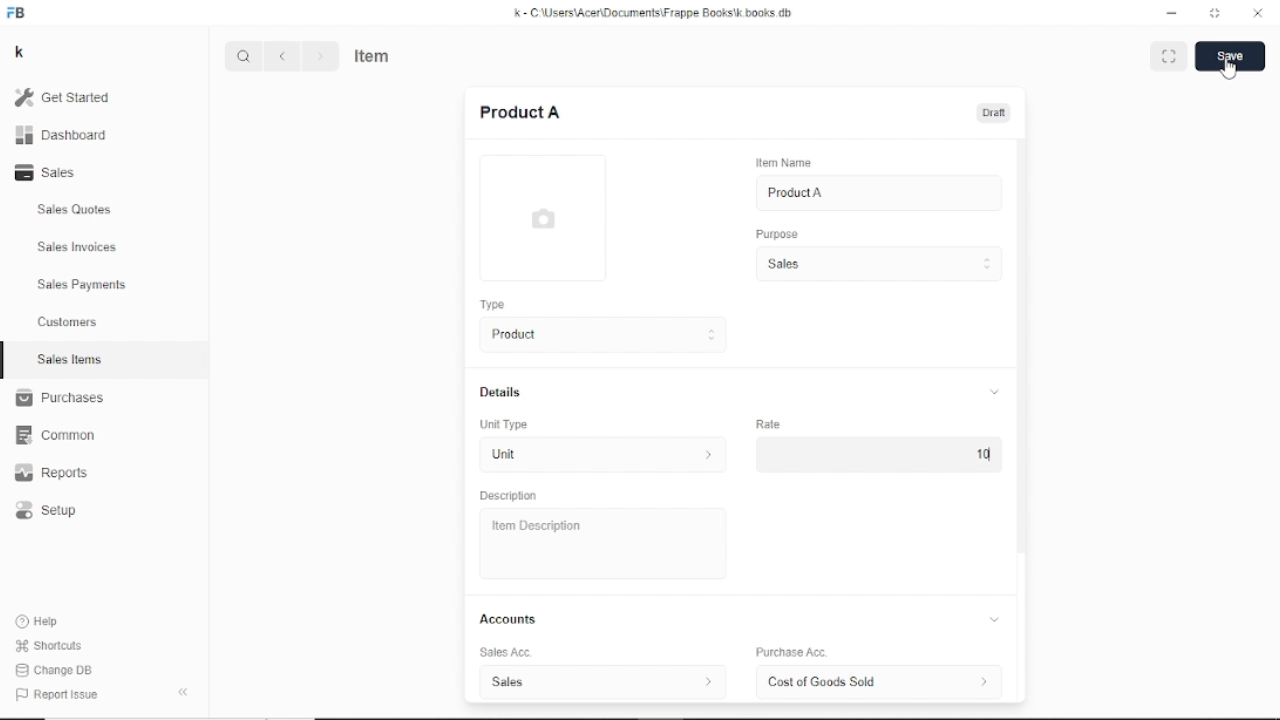 Image resolution: width=1280 pixels, height=720 pixels. I want to click on Product, so click(598, 335).